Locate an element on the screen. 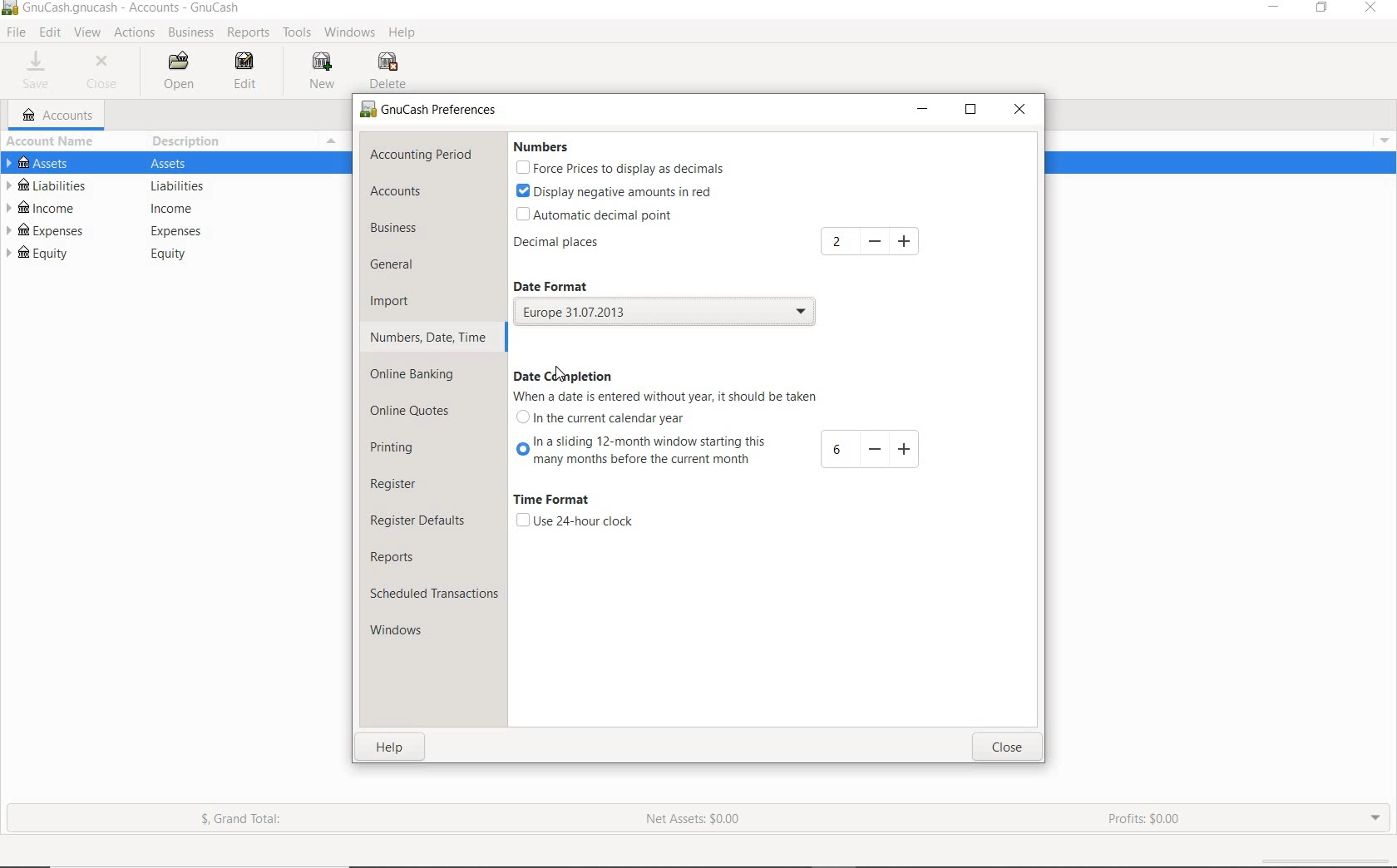 The height and width of the screenshot is (868, 1397). online quotes is located at coordinates (417, 412).